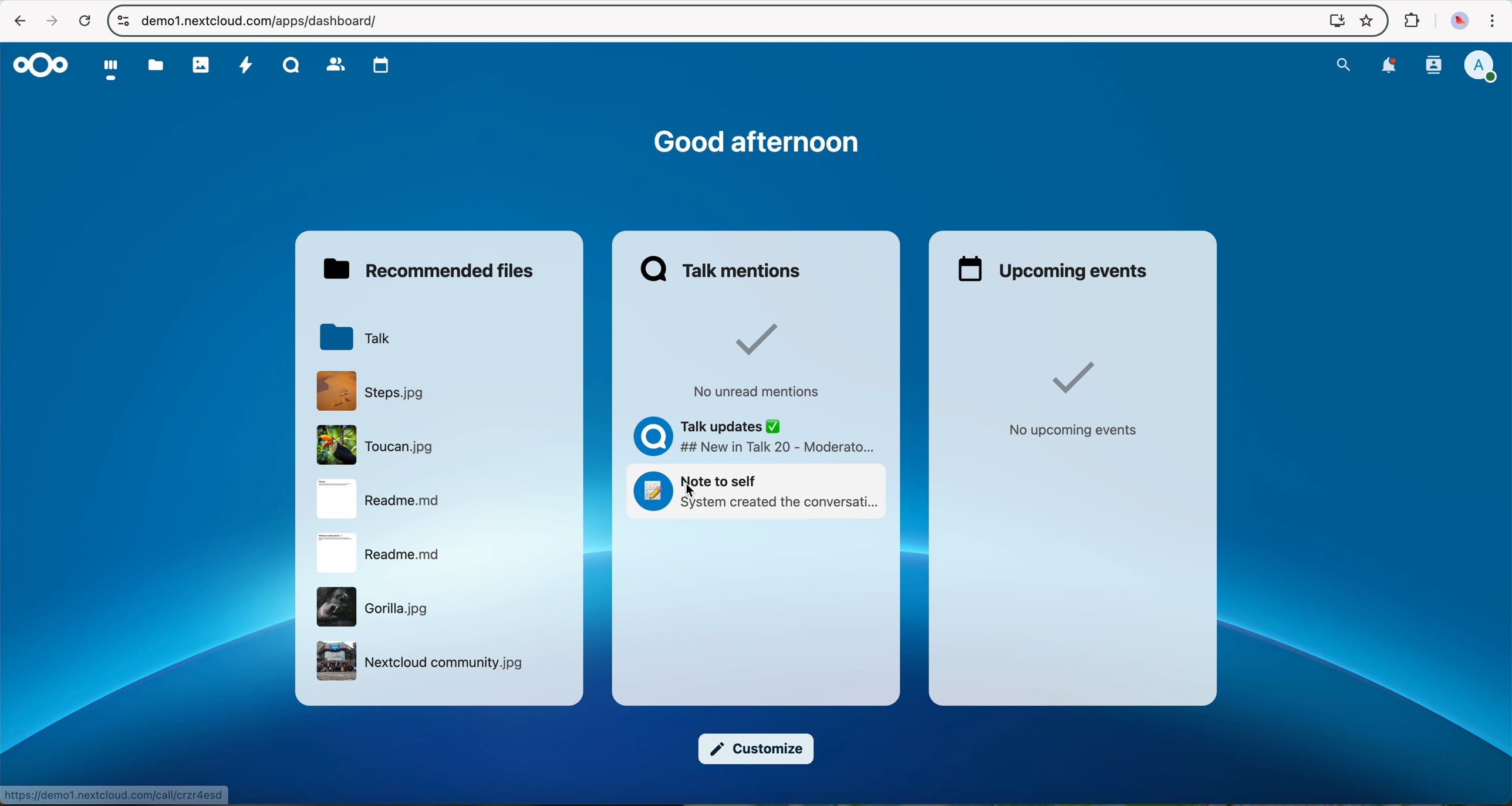 The width and height of the screenshot is (1512, 806). I want to click on file, so click(379, 553).